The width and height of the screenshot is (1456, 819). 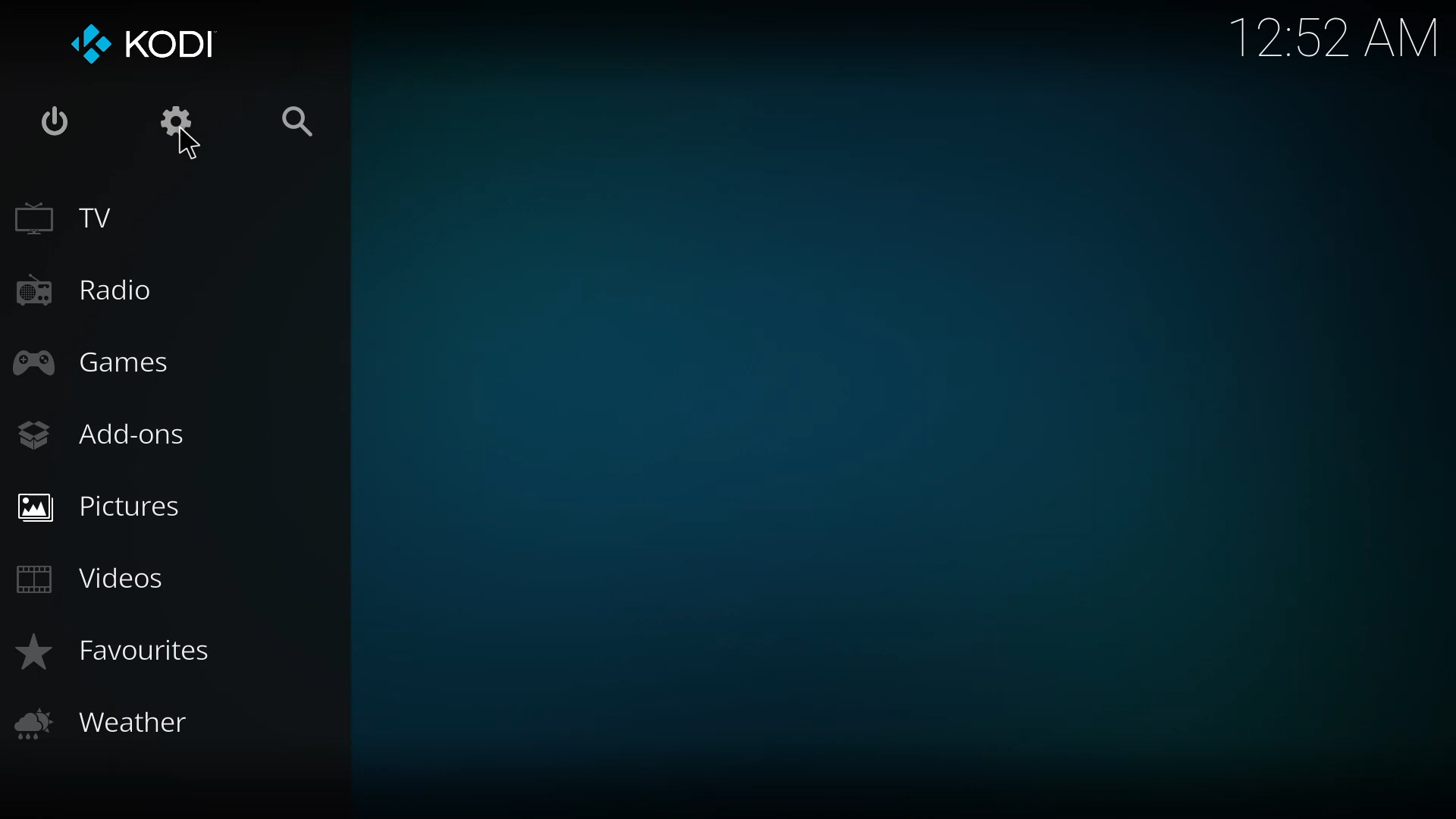 What do you see at coordinates (179, 121) in the screenshot?
I see `settings` at bounding box center [179, 121].